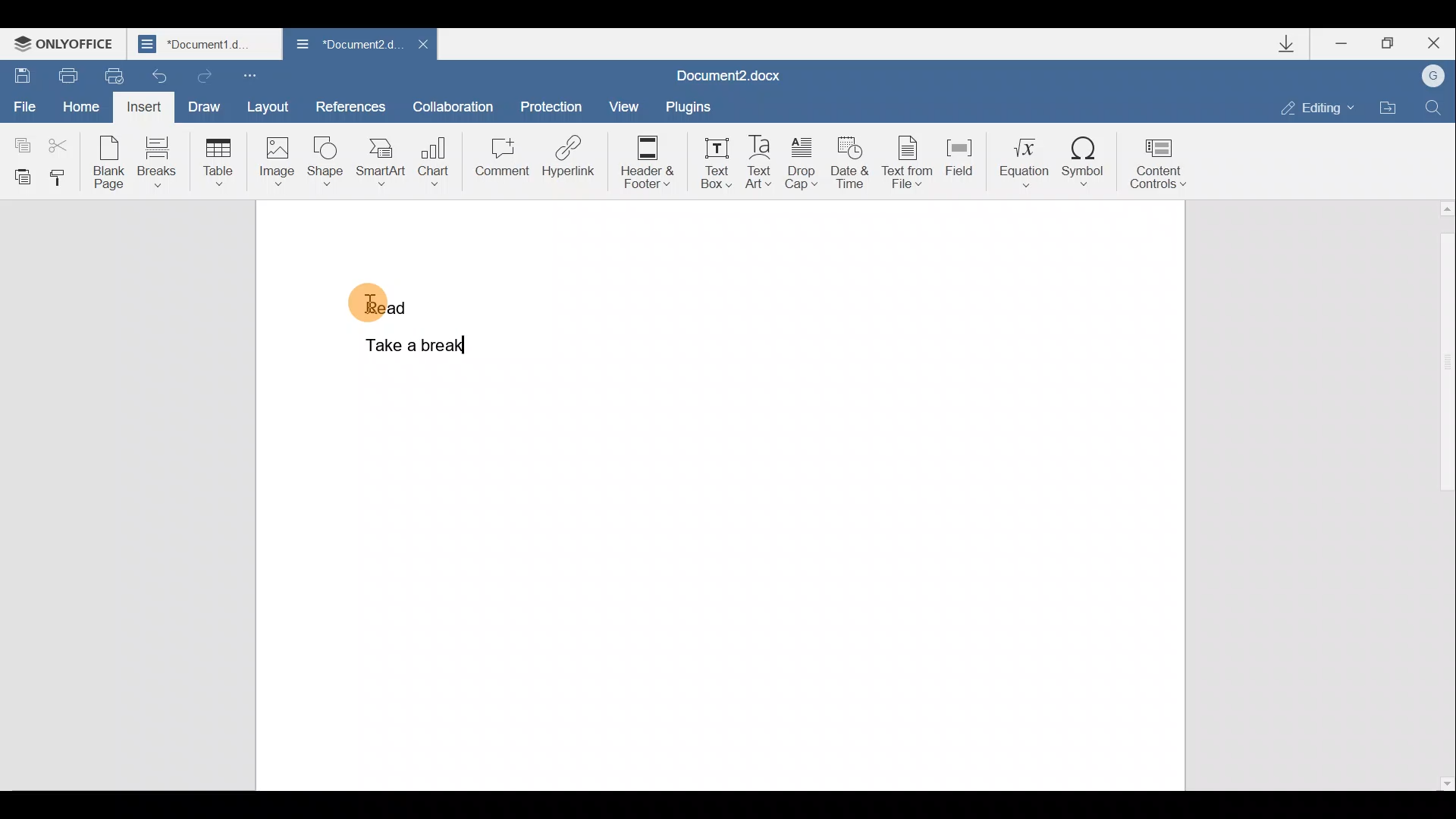 The height and width of the screenshot is (819, 1456). I want to click on Paste, so click(20, 176).